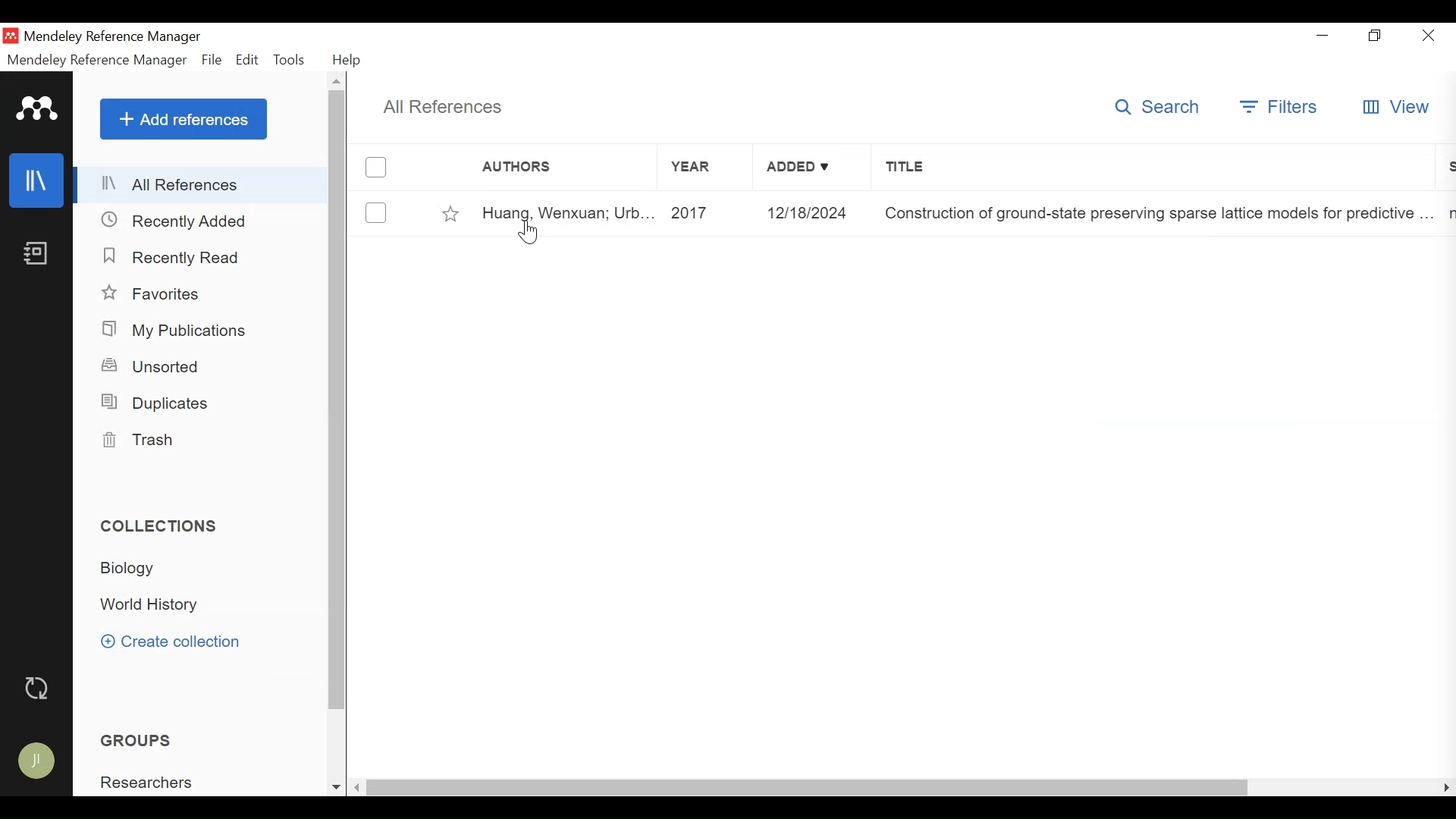 This screenshot has width=1456, height=819. Describe the element at coordinates (529, 231) in the screenshot. I see `Cursor` at that location.